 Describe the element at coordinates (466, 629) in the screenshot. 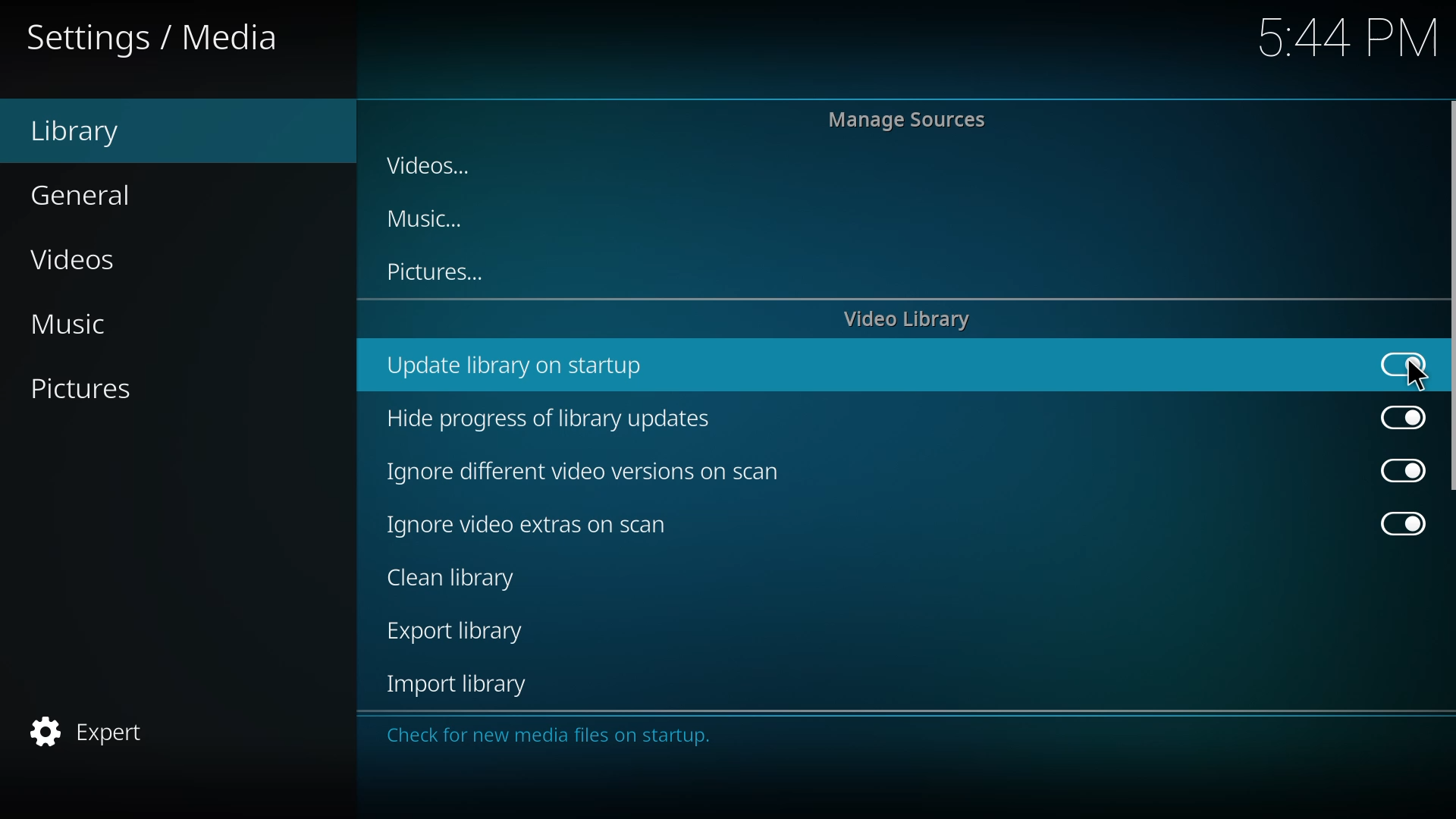

I see `export library` at that location.